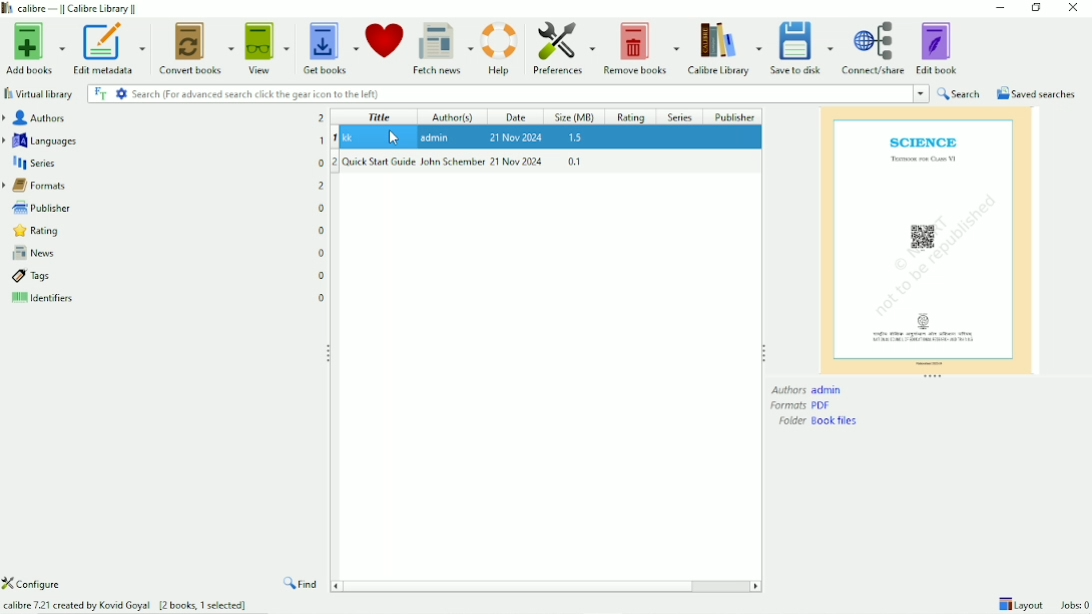 This screenshot has height=614, width=1092. Describe the element at coordinates (322, 186) in the screenshot. I see `2` at that location.